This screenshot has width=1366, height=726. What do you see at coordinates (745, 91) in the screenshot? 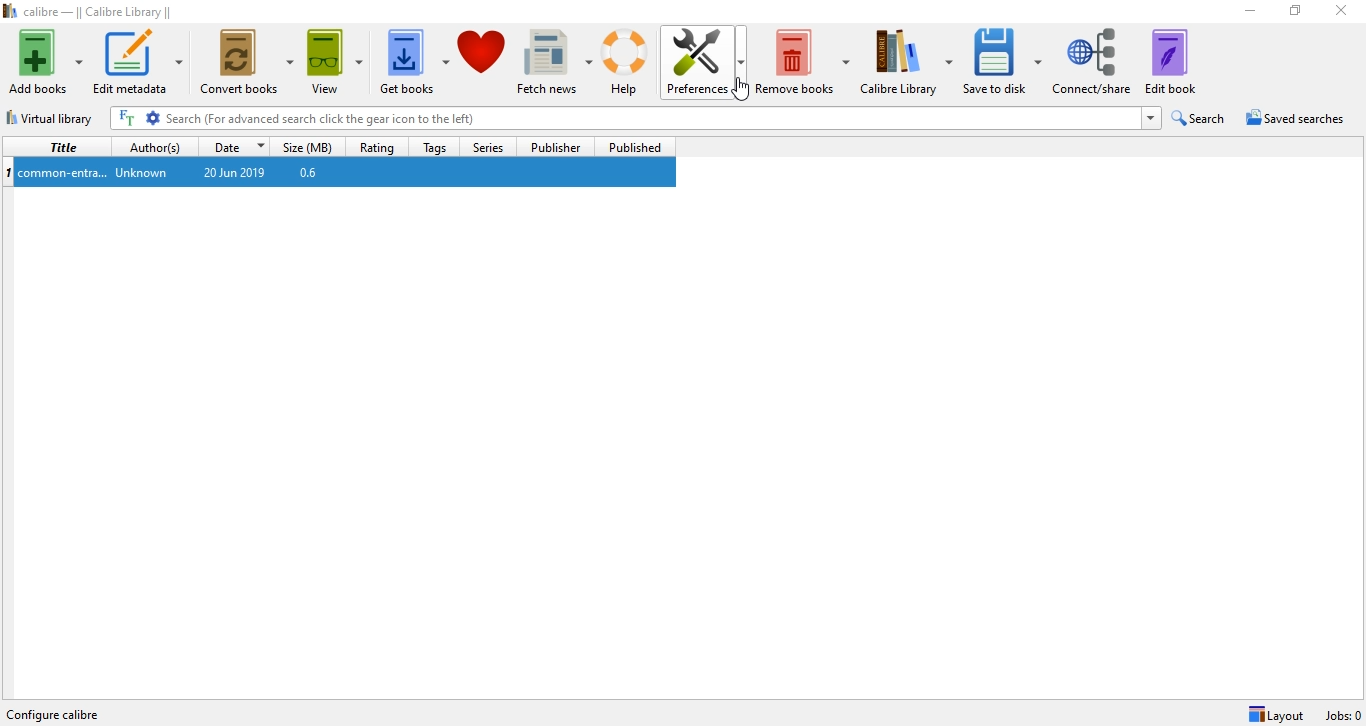
I see `Cursor` at bounding box center [745, 91].